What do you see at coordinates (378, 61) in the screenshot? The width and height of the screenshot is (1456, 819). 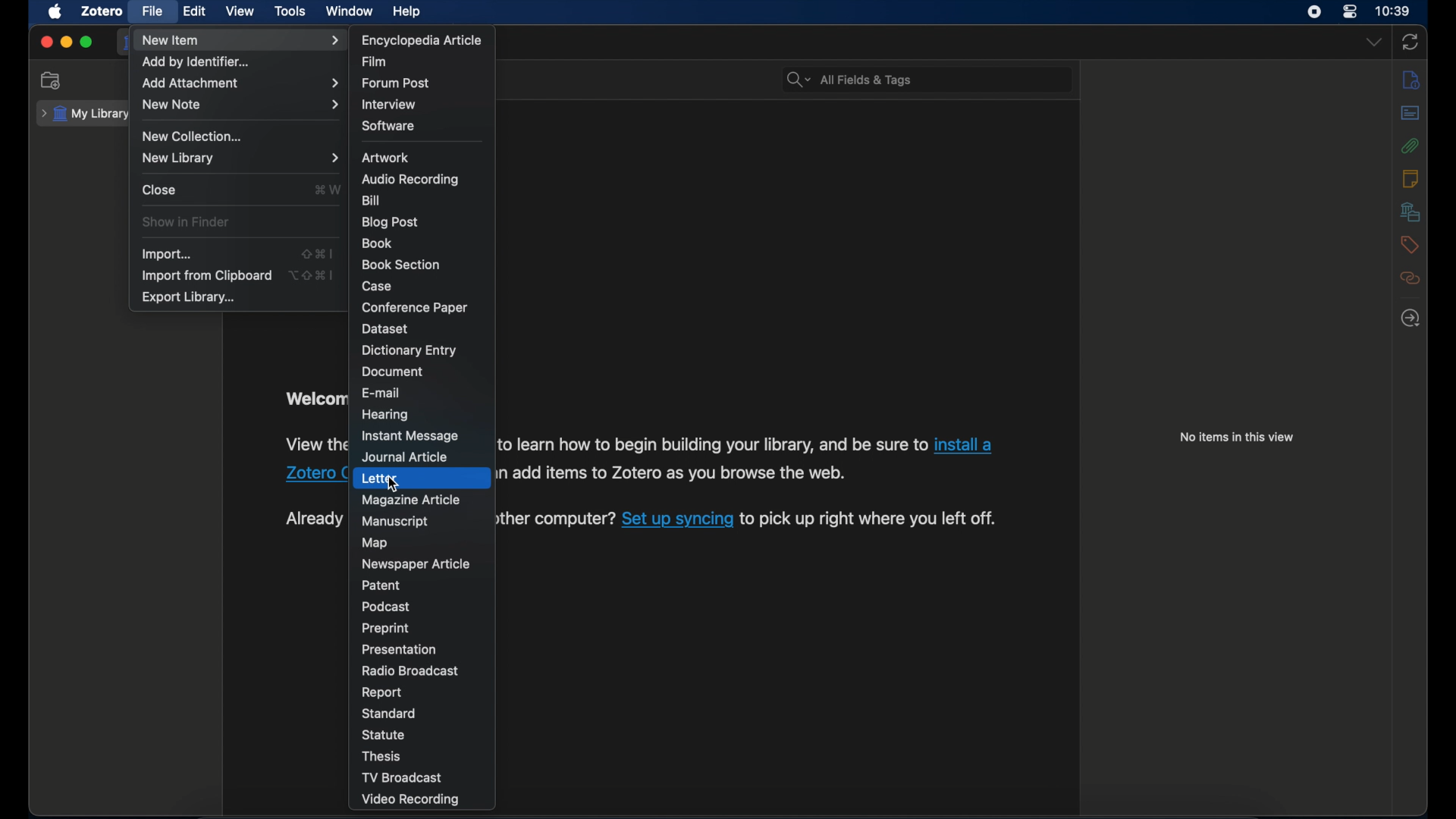 I see `film` at bounding box center [378, 61].